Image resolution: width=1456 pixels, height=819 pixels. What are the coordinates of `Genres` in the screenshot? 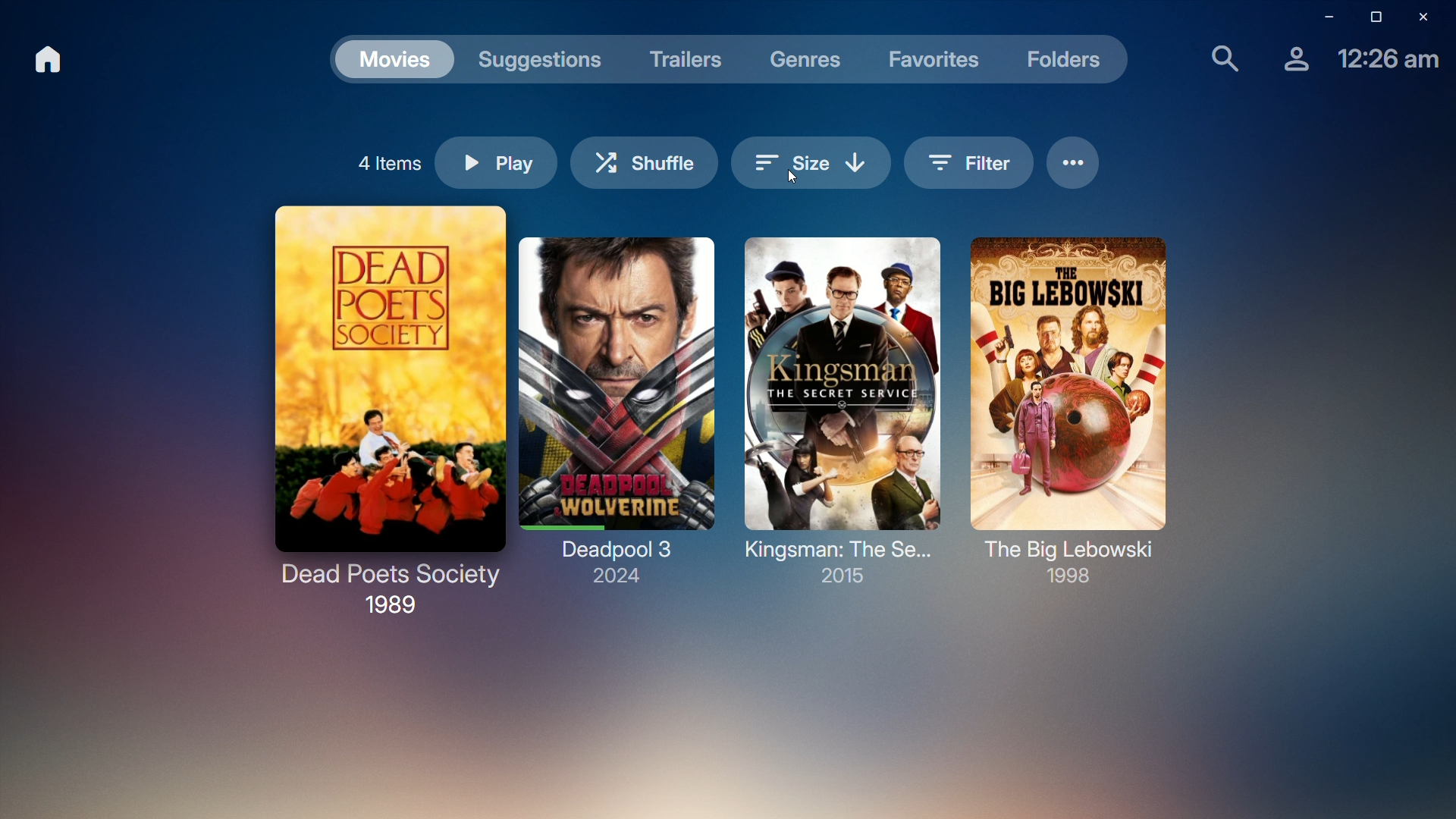 It's located at (806, 58).